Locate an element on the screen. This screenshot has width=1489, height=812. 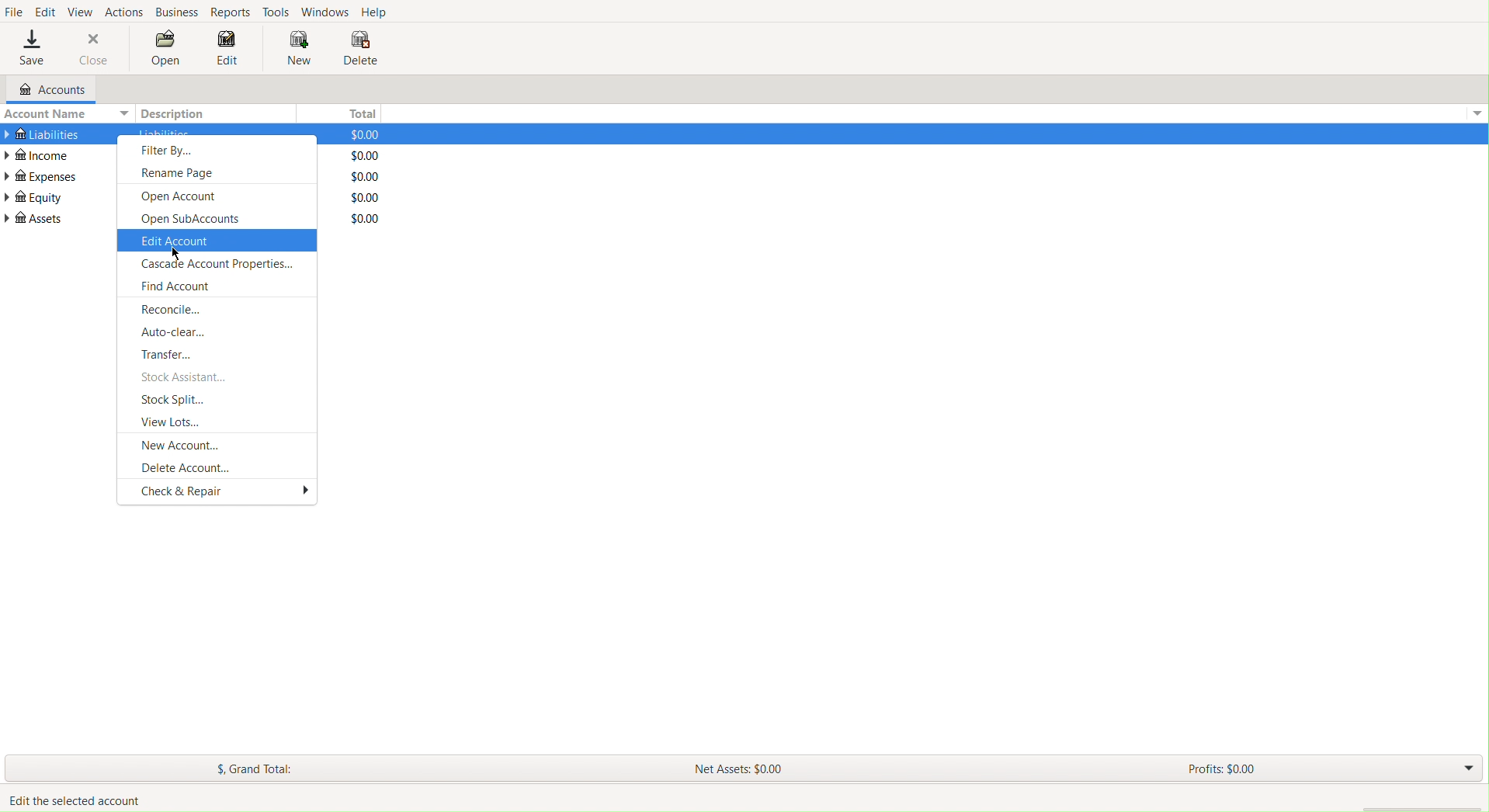
drop down is located at coordinates (1480, 111).